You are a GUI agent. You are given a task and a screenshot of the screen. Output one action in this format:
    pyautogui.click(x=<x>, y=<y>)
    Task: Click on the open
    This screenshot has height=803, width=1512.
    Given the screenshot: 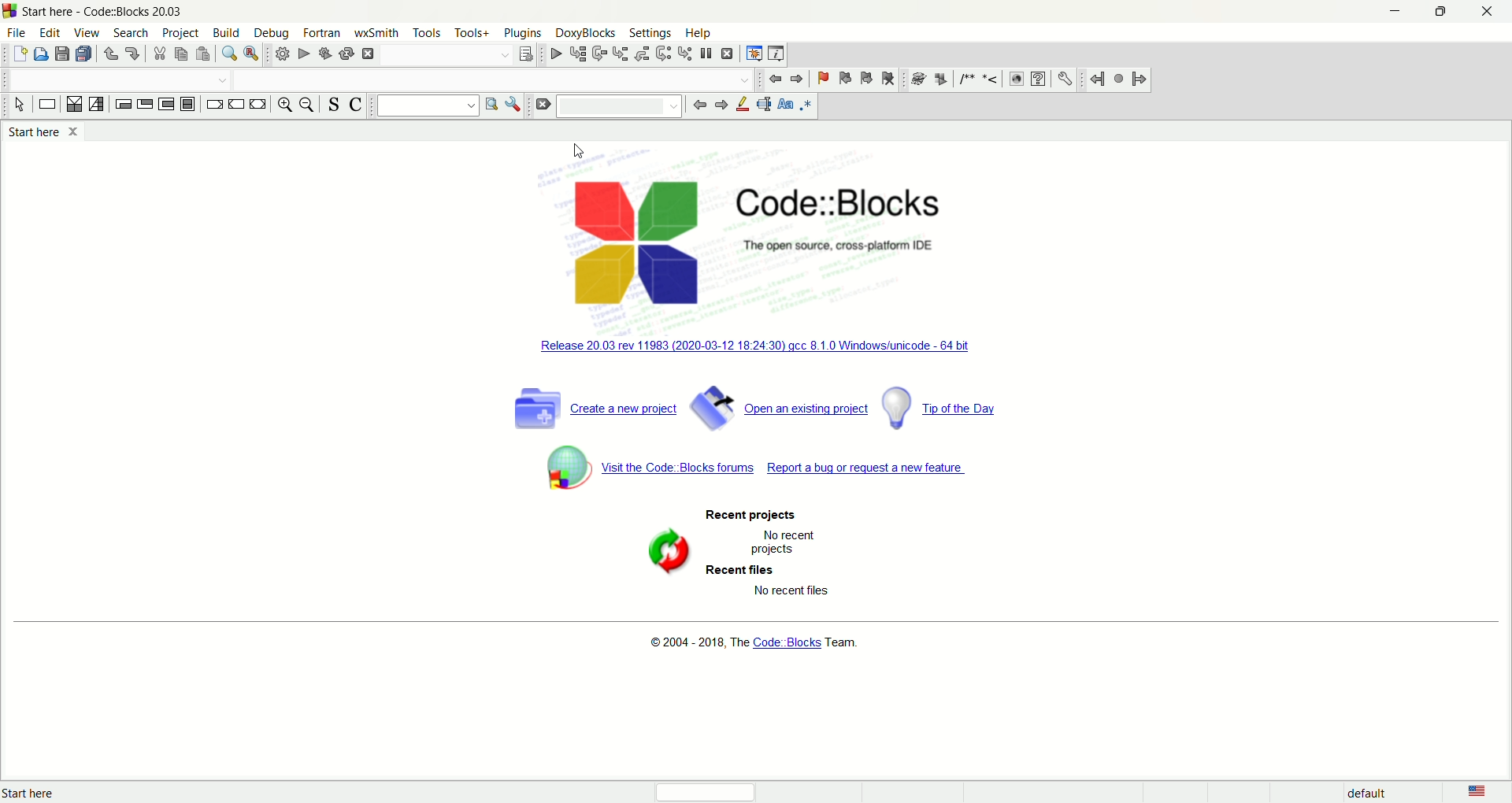 What is the action you would take?
    pyautogui.click(x=39, y=54)
    